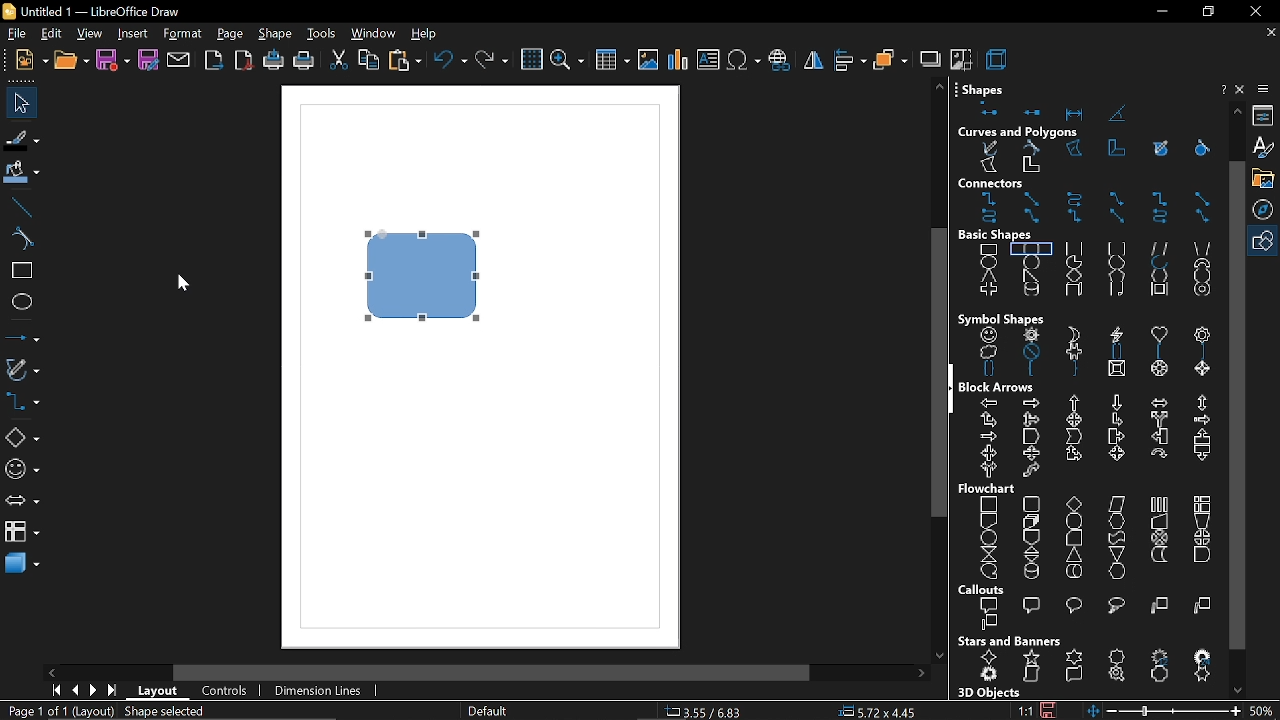 This screenshot has width=1280, height=720. Describe the element at coordinates (27, 61) in the screenshot. I see `new` at that location.